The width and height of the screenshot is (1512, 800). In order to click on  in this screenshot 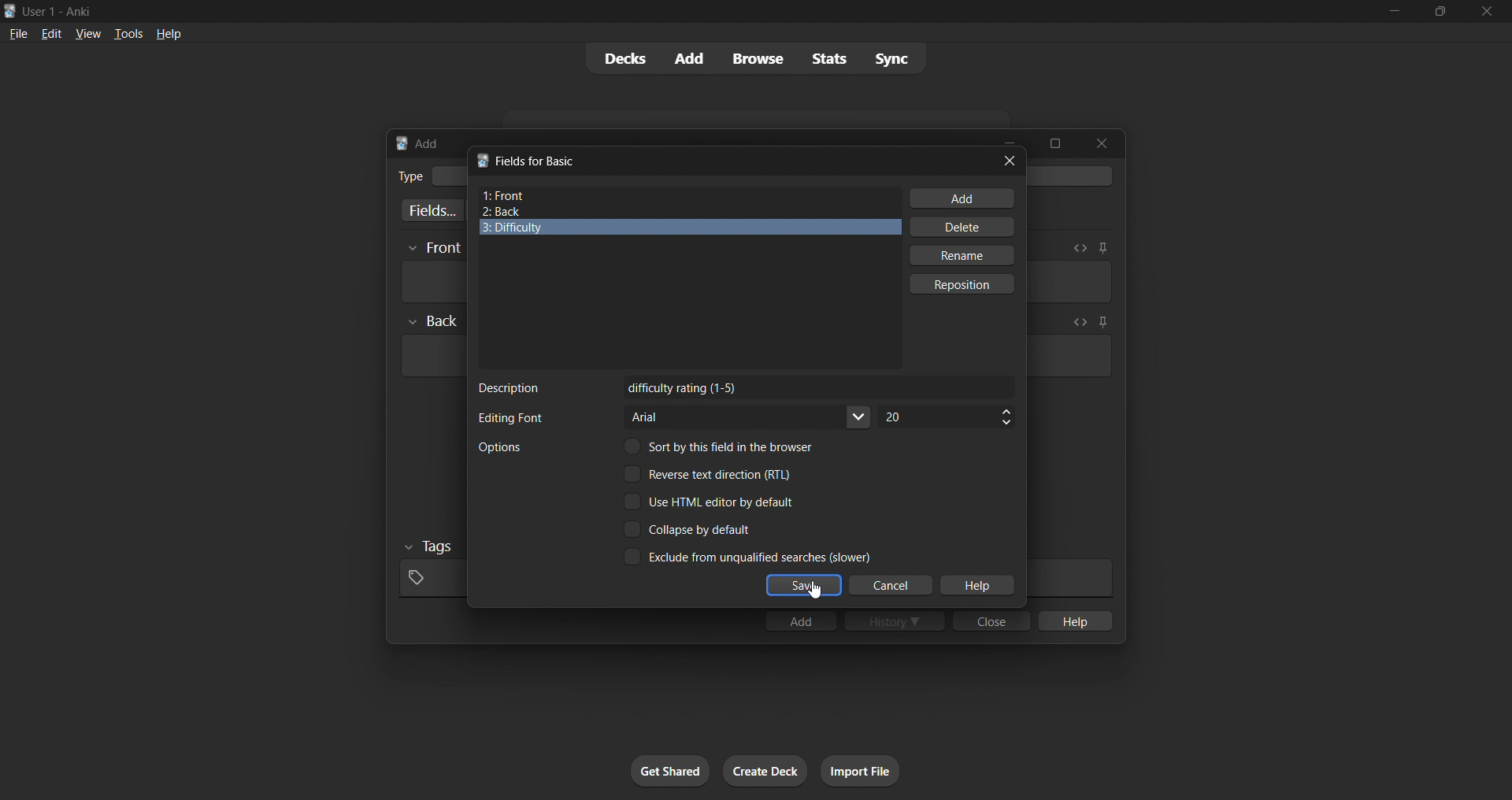, I will do `click(433, 321)`.